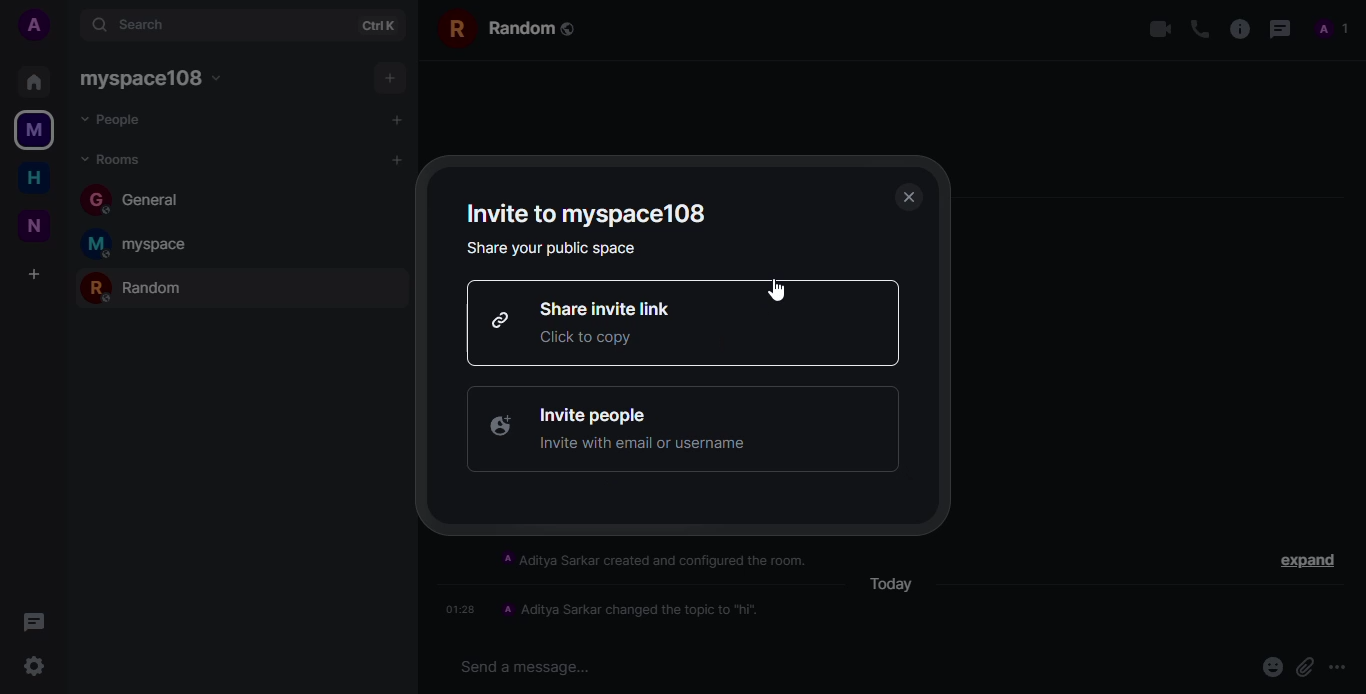 This screenshot has height=694, width=1366. I want to click on attach, so click(1305, 666).